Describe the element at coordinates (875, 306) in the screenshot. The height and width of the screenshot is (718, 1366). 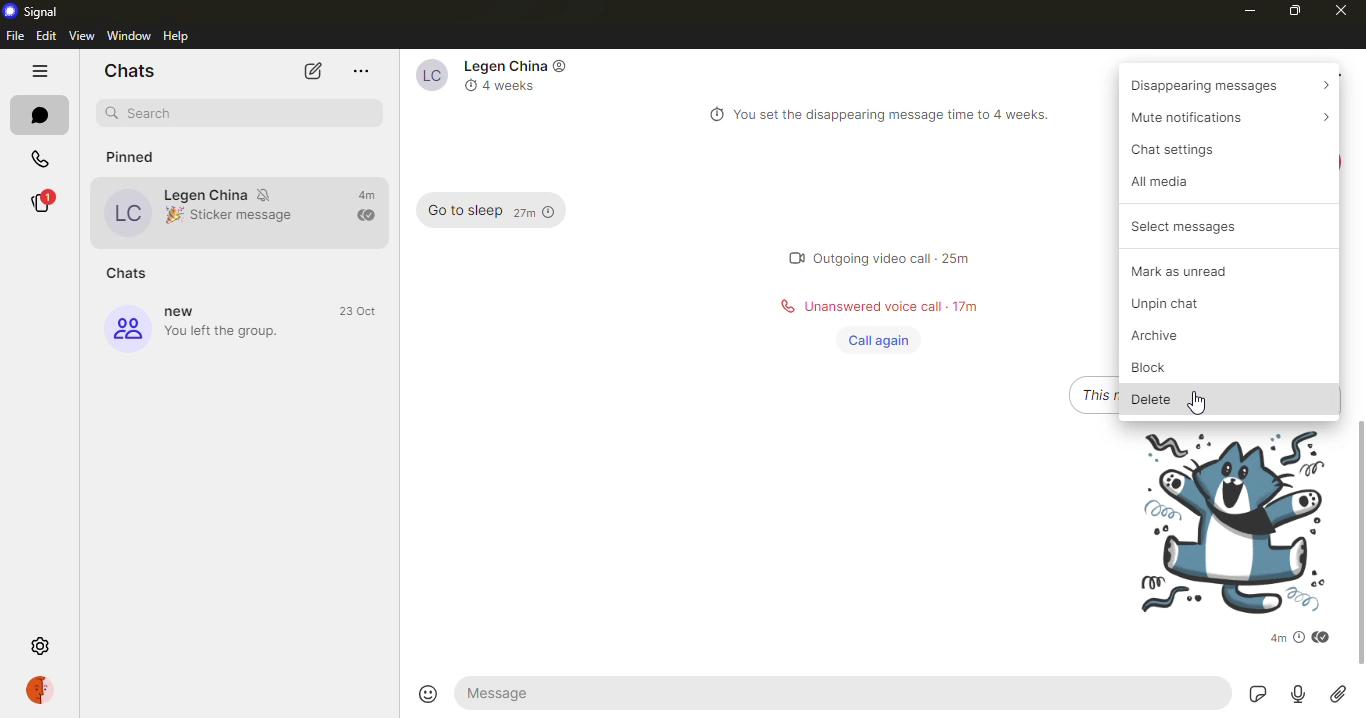
I see `unanswered voice call` at that location.